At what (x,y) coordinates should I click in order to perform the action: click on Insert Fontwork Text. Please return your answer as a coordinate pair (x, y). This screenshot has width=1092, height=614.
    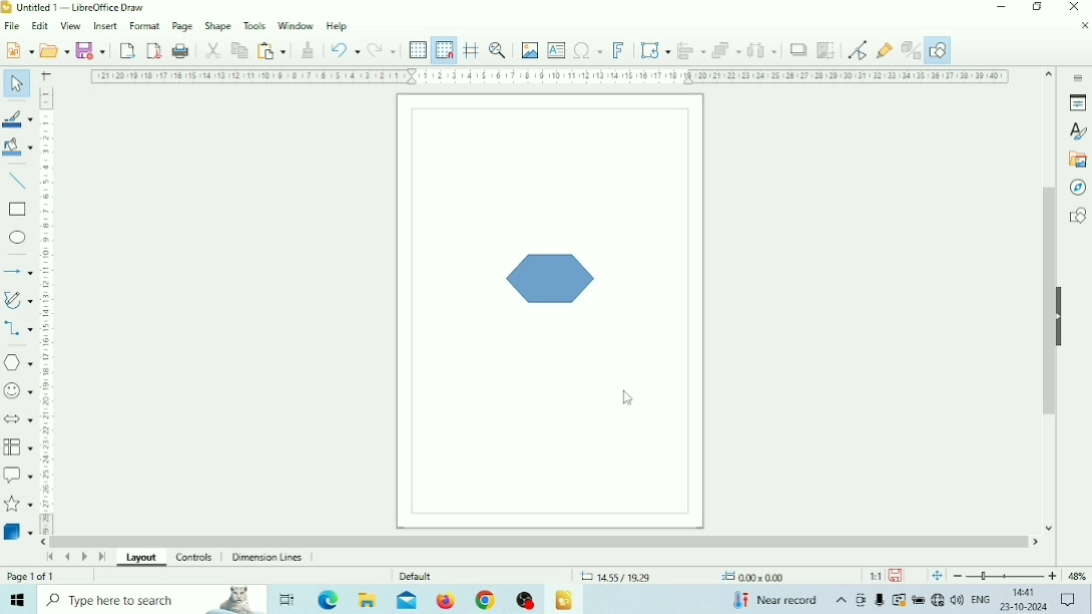
    Looking at the image, I should click on (618, 49).